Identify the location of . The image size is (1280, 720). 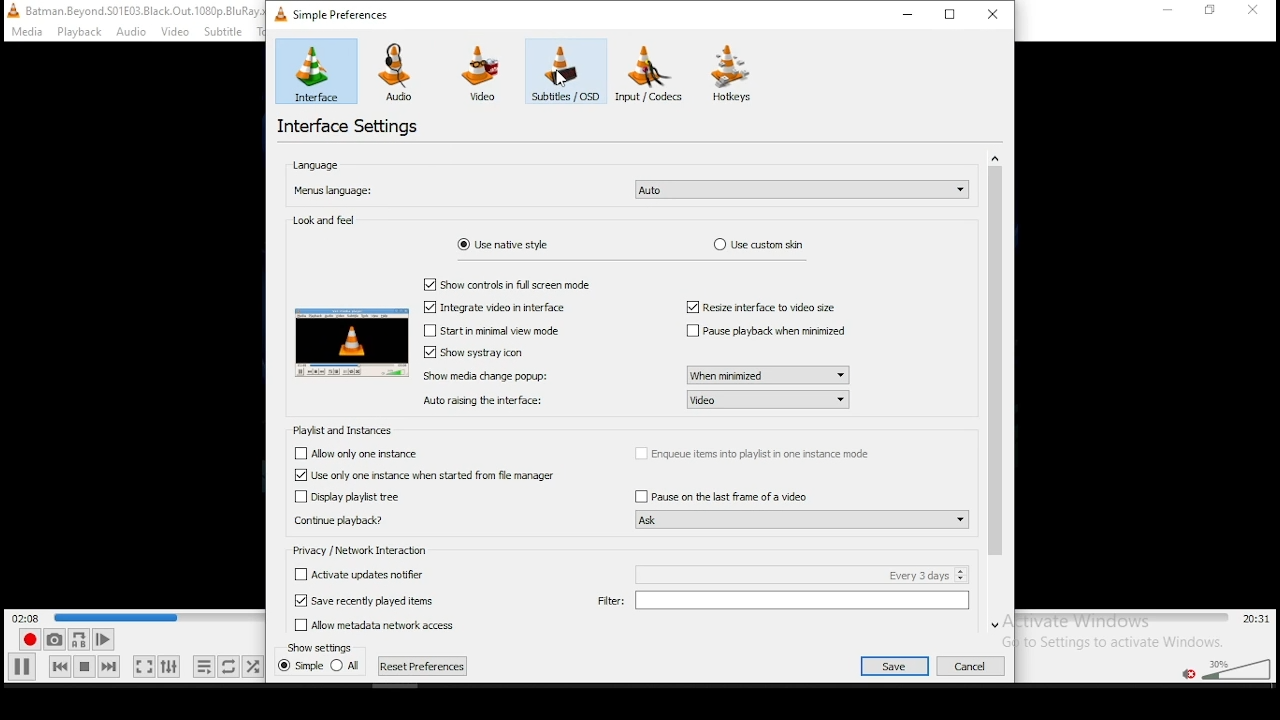
(504, 329).